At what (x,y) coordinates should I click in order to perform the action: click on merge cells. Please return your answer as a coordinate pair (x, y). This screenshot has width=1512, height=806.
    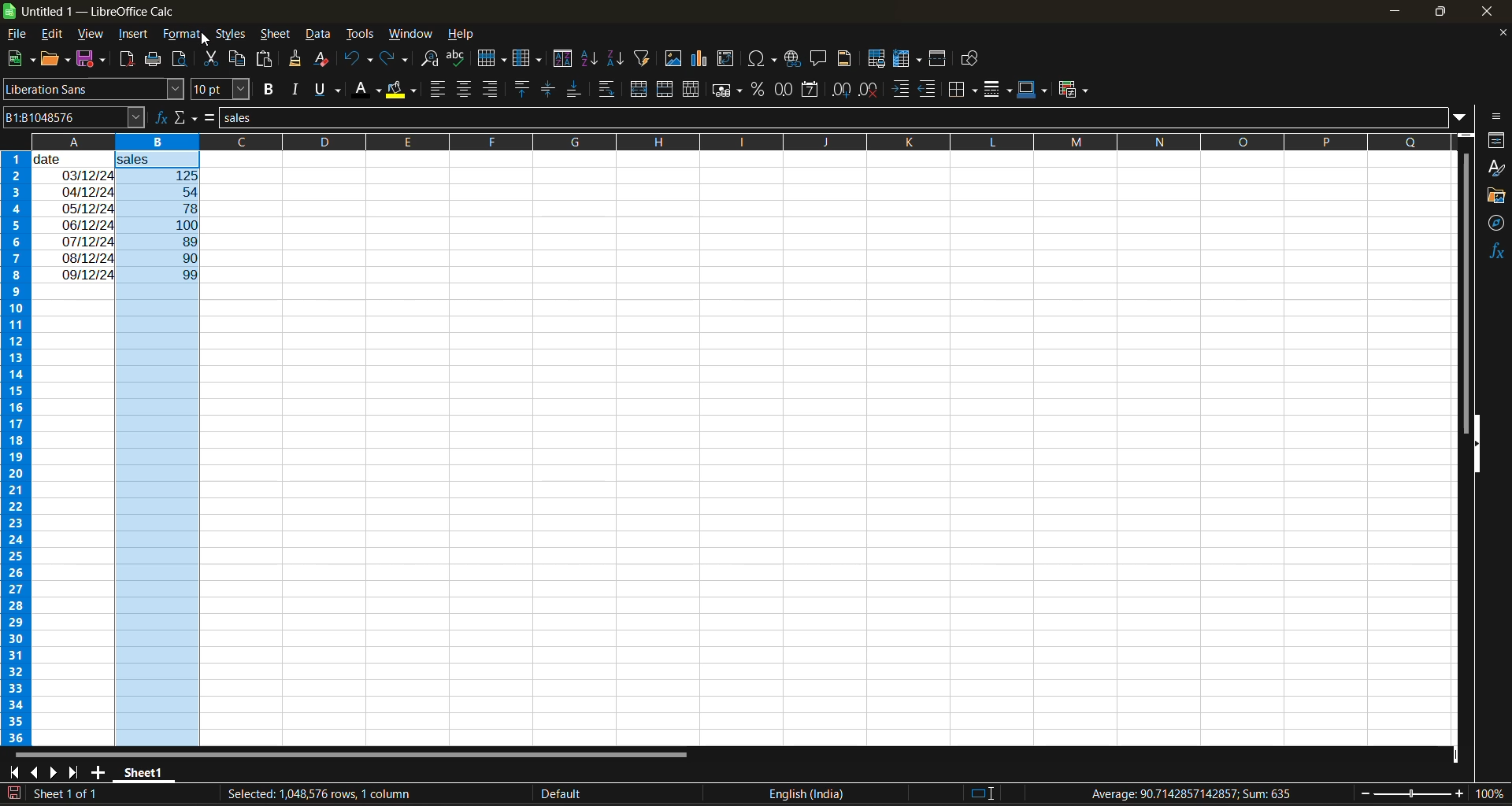
    Looking at the image, I should click on (666, 89).